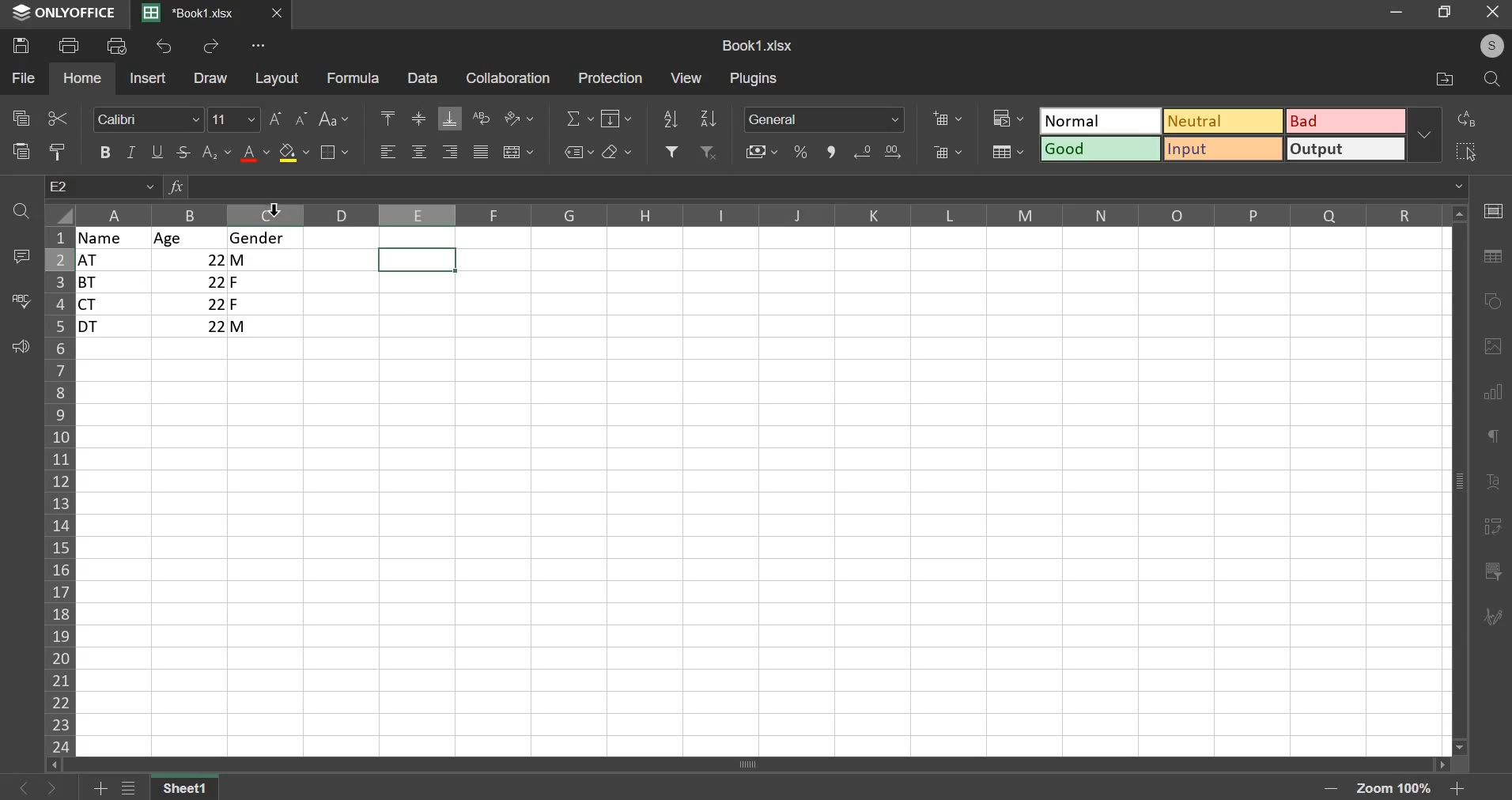 The width and height of the screenshot is (1512, 800). What do you see at coordinates (278, 13) in the screenshot?
I see `closes` at bounding box center [278, 13].